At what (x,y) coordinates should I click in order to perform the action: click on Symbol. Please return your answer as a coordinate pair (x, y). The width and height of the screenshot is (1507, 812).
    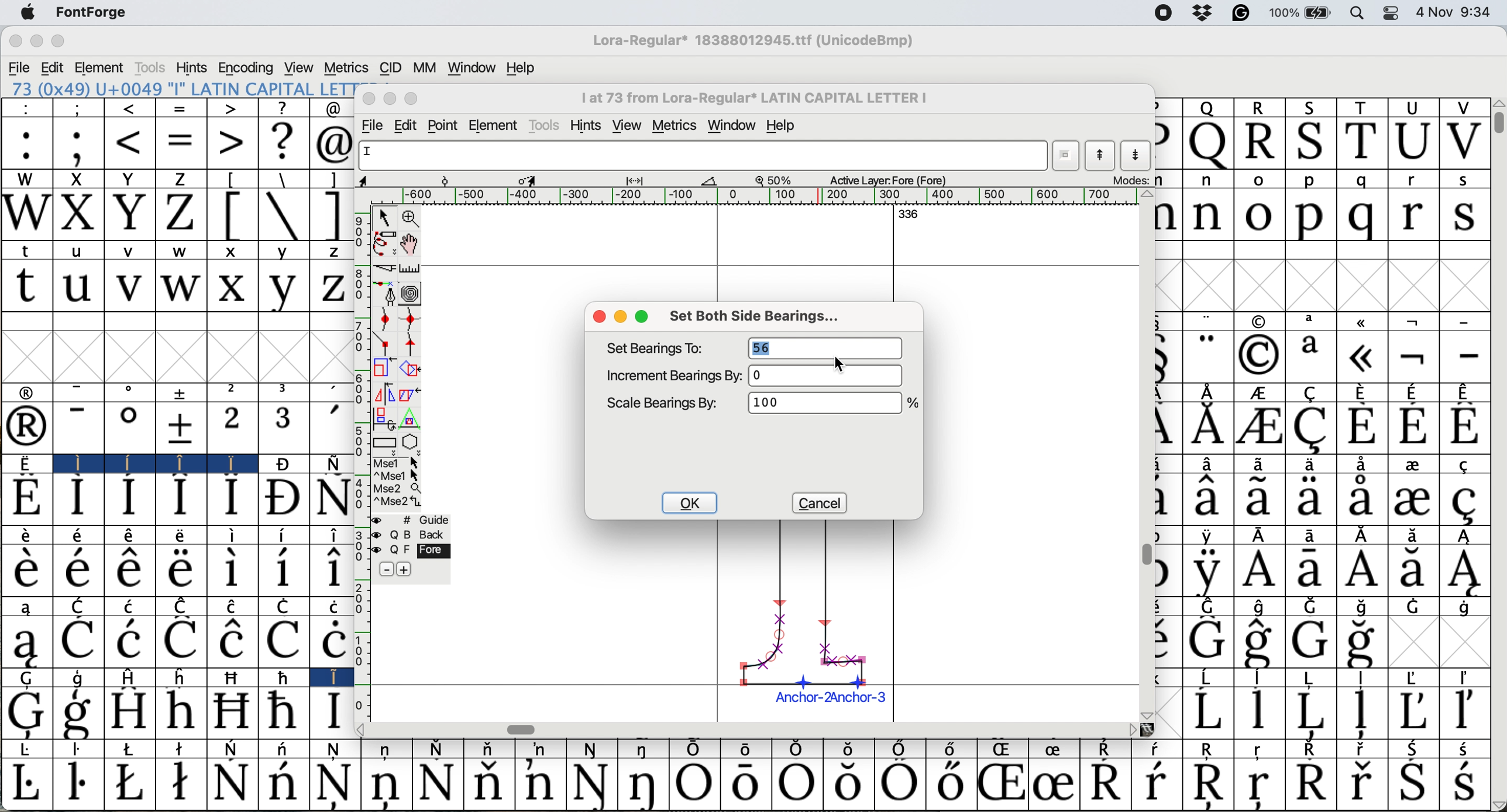
    Looking at the image, I should click on (846, 749).